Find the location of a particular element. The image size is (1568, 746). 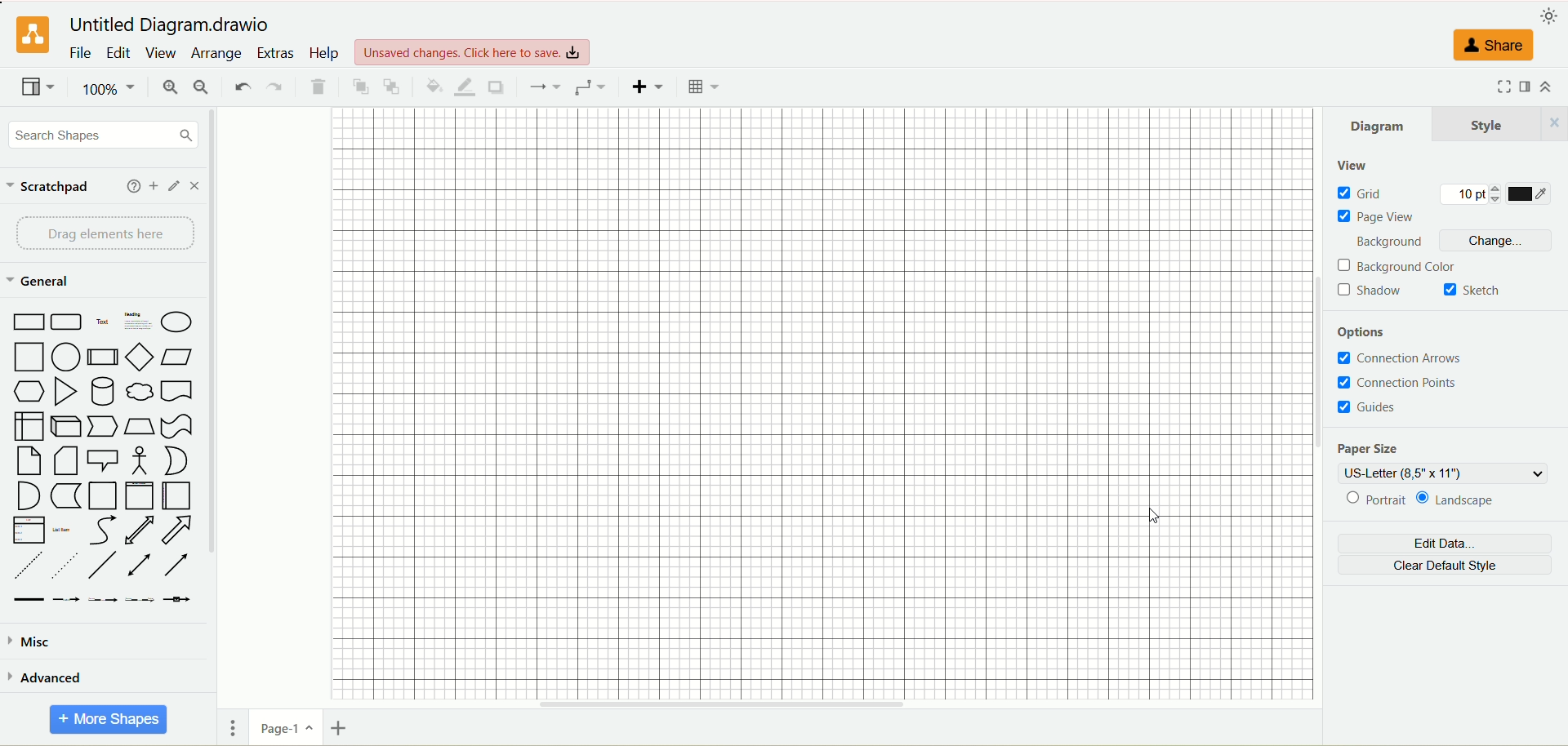

help is located at coordinates (324, 54).